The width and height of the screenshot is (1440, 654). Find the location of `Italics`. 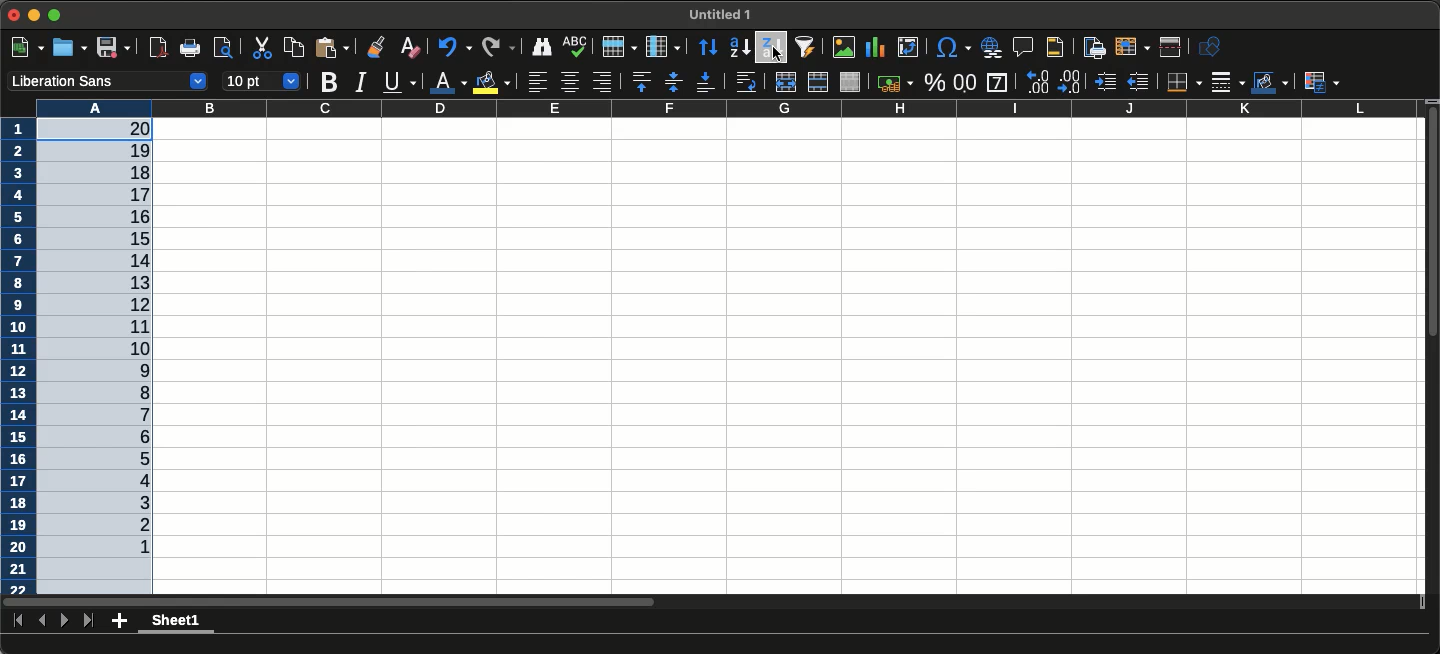

Italics is located at coordinates (359, 83).